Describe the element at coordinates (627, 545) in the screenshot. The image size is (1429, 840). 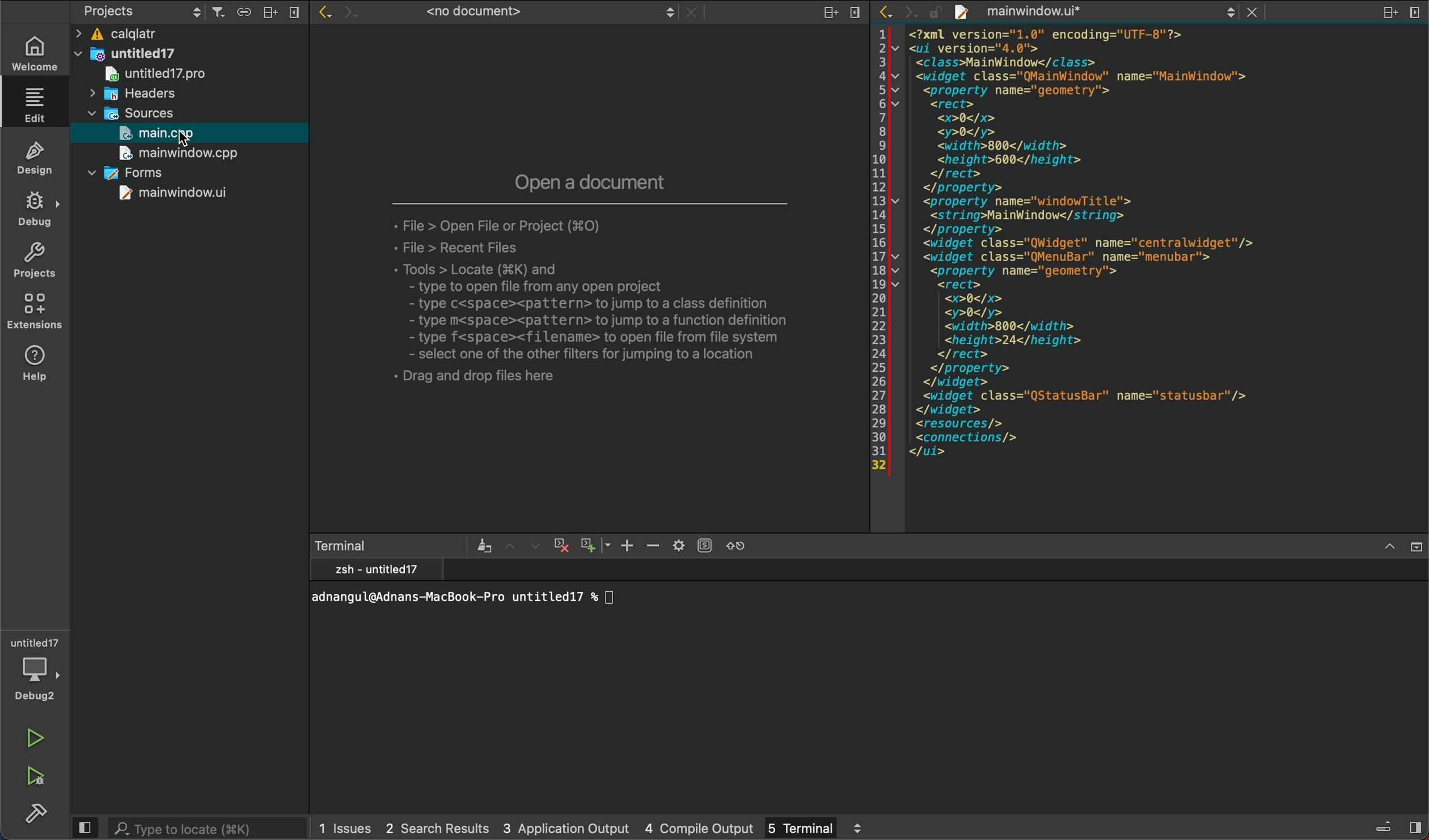
I see `zoom in` at that location.